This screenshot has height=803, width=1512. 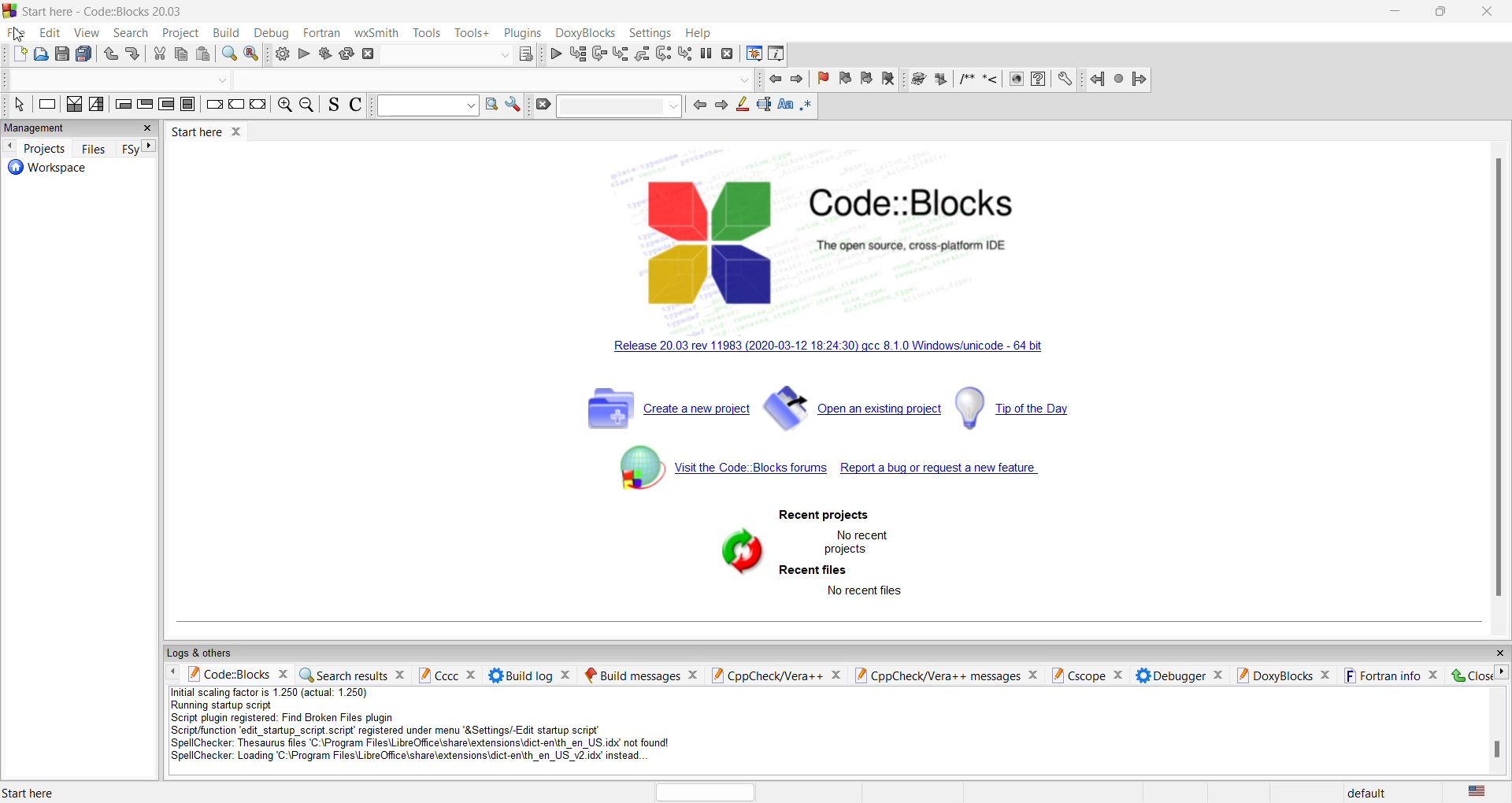 What do you see at coordinates (159, 56) in the screenshot?
I see `copy` at bounding box center [159, 56].